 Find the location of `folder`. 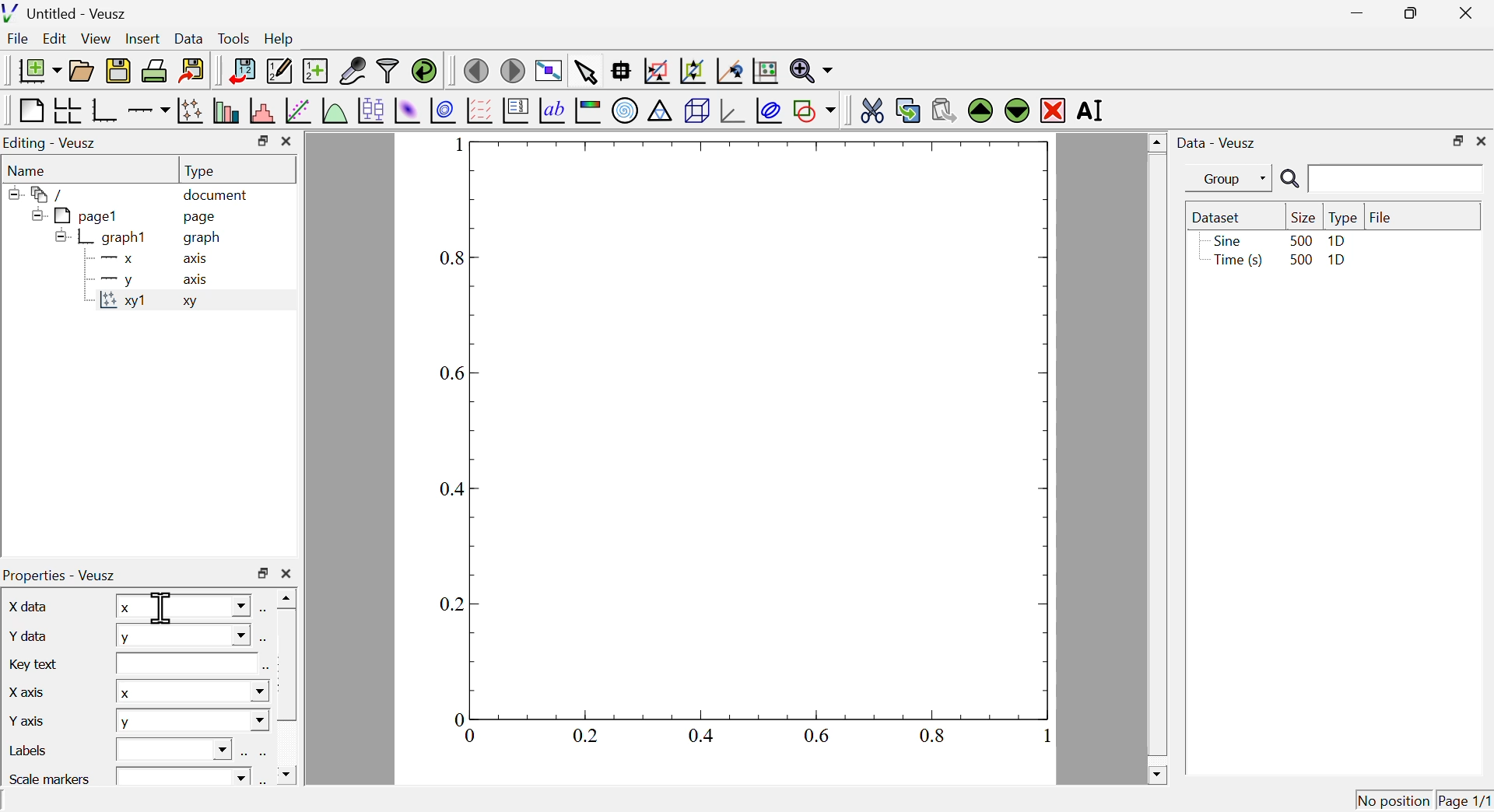

folder is located at coordinates (43, 194).